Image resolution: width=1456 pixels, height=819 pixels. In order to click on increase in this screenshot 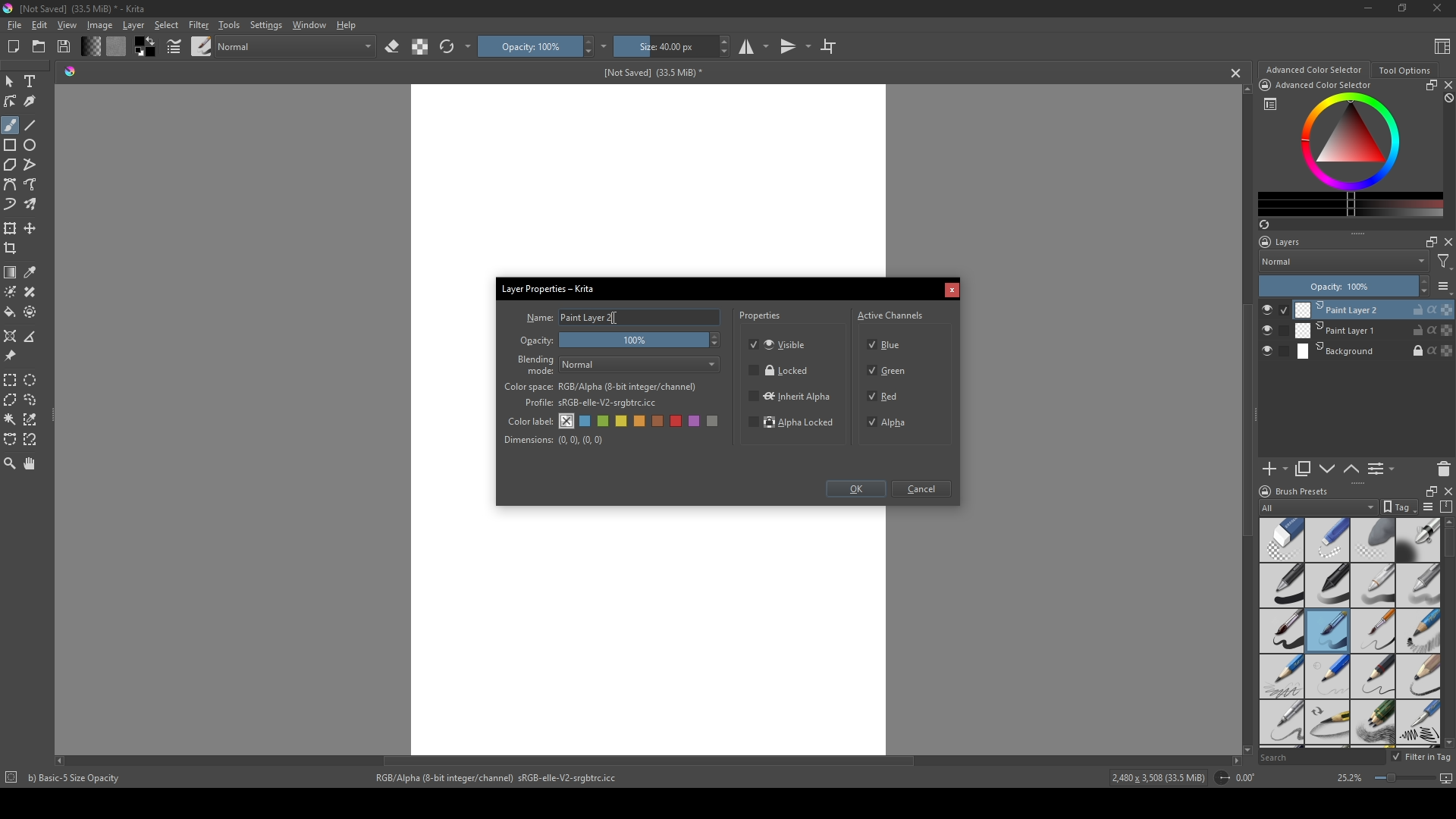, I will do `click(1423, 281)`.